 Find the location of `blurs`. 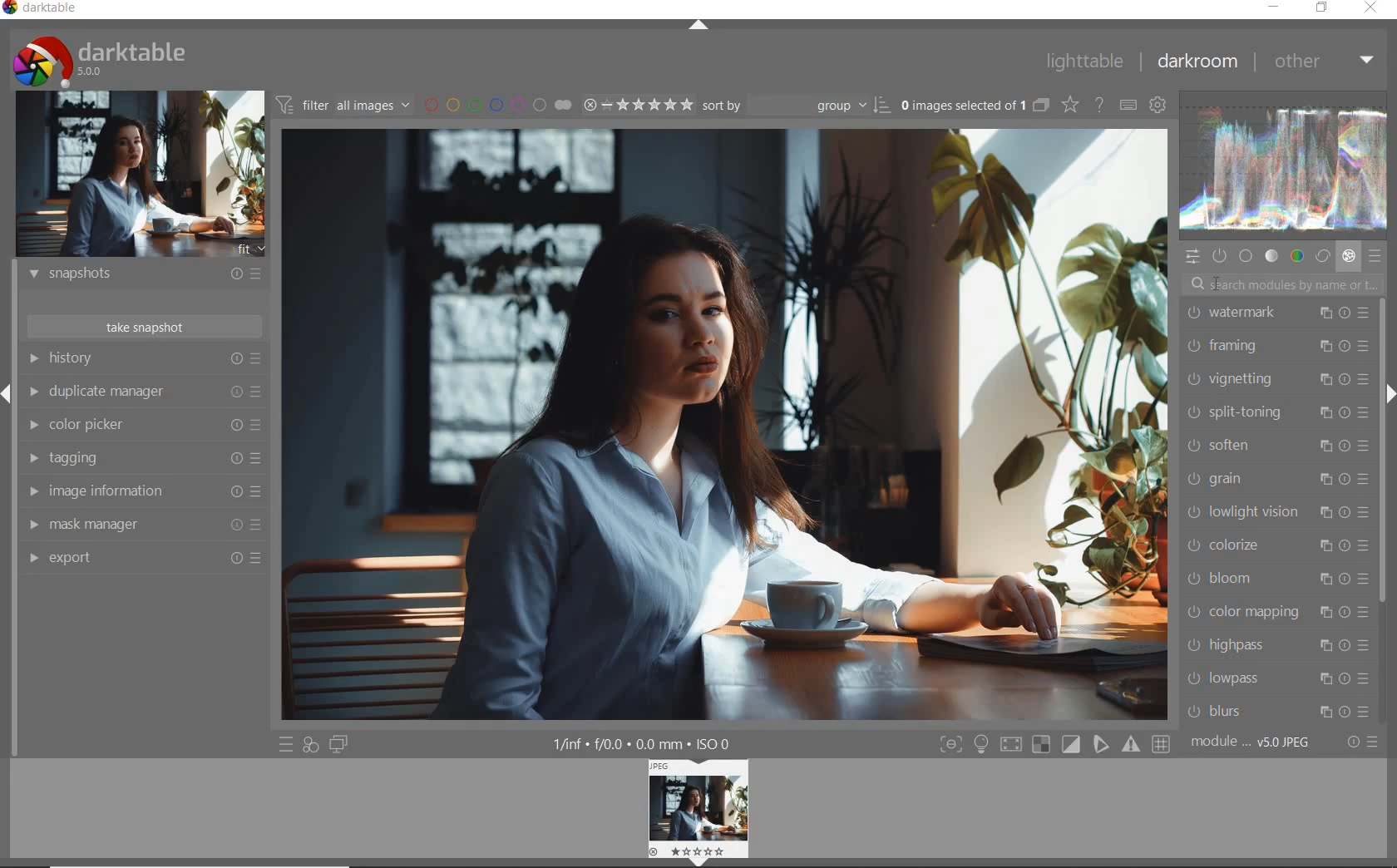

blurs is located at coordinates (1279, 713).